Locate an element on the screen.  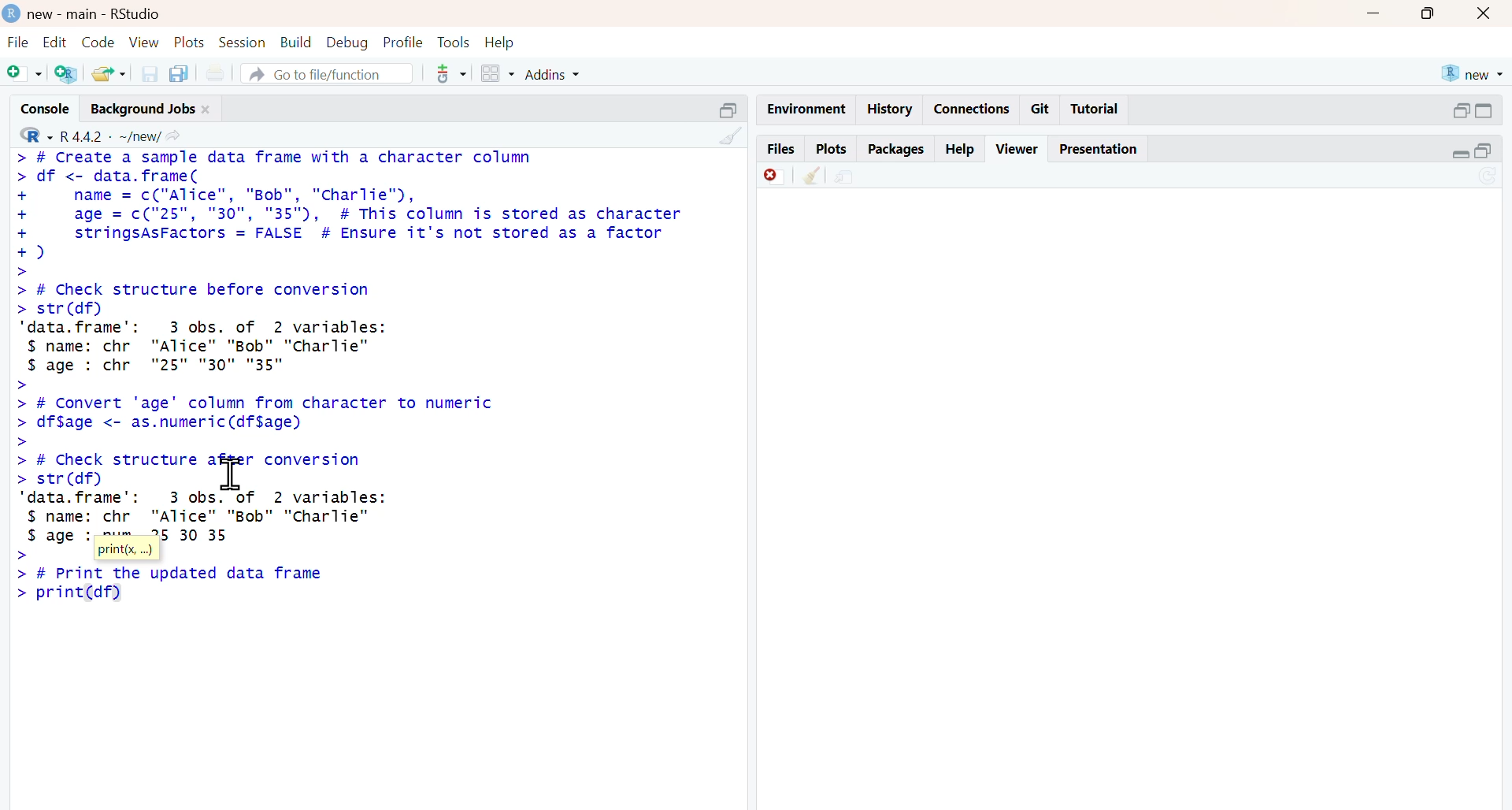
save is located at coordinates (150, 74).